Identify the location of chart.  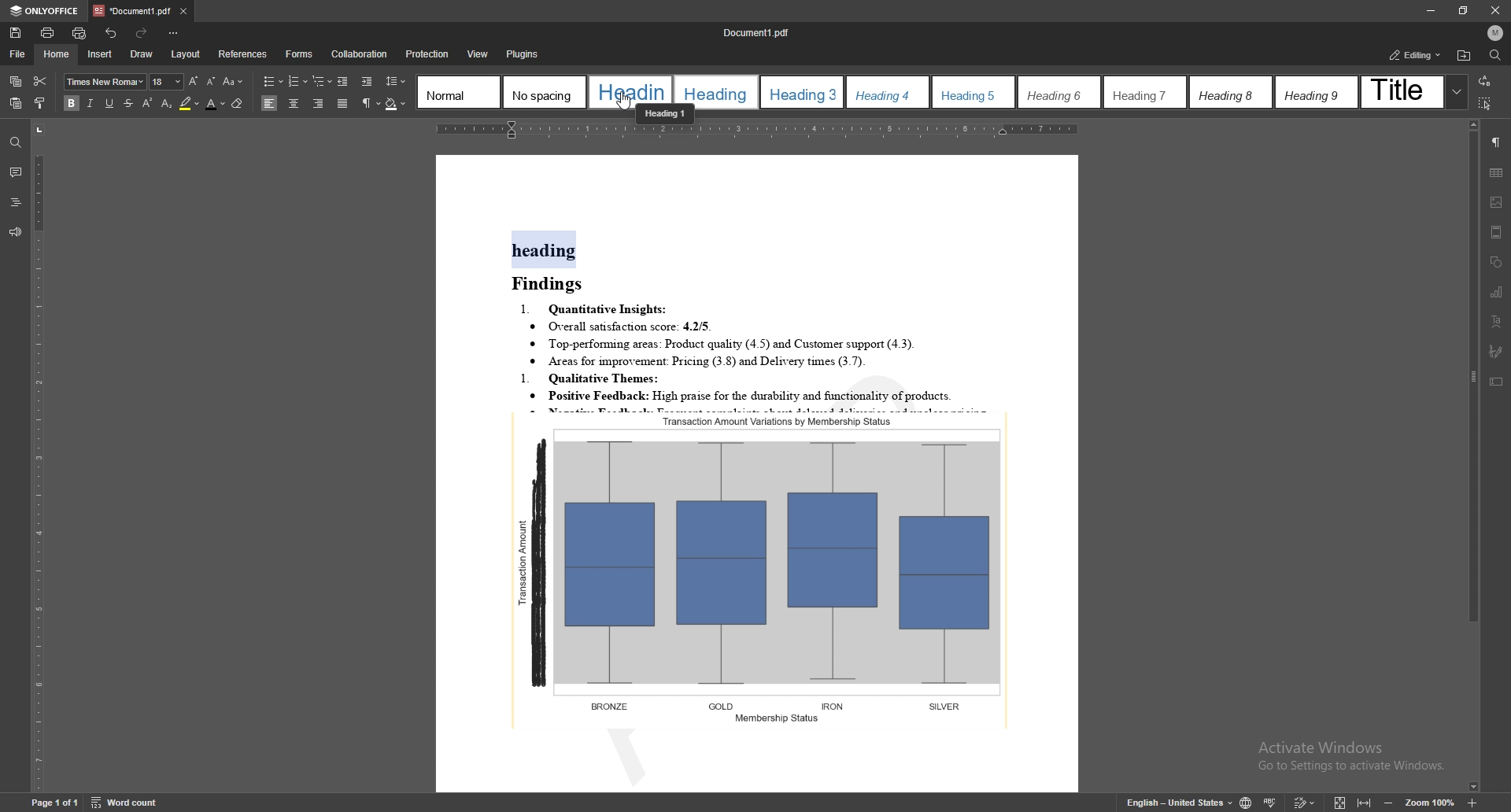
(1497, 292).